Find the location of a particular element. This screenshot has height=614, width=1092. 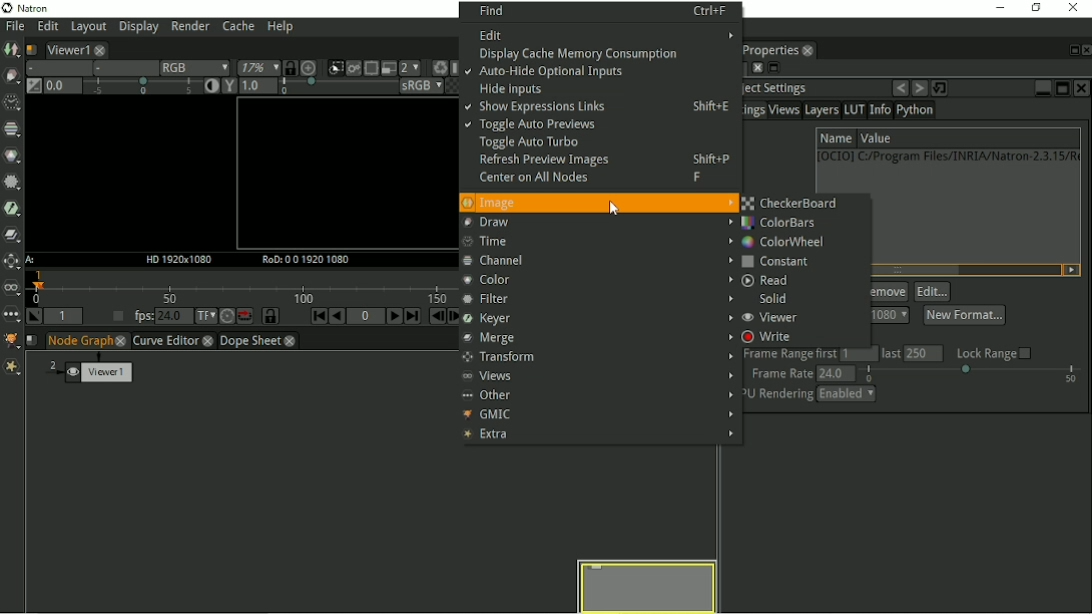

GMIC is located at coordinates (11, 341).